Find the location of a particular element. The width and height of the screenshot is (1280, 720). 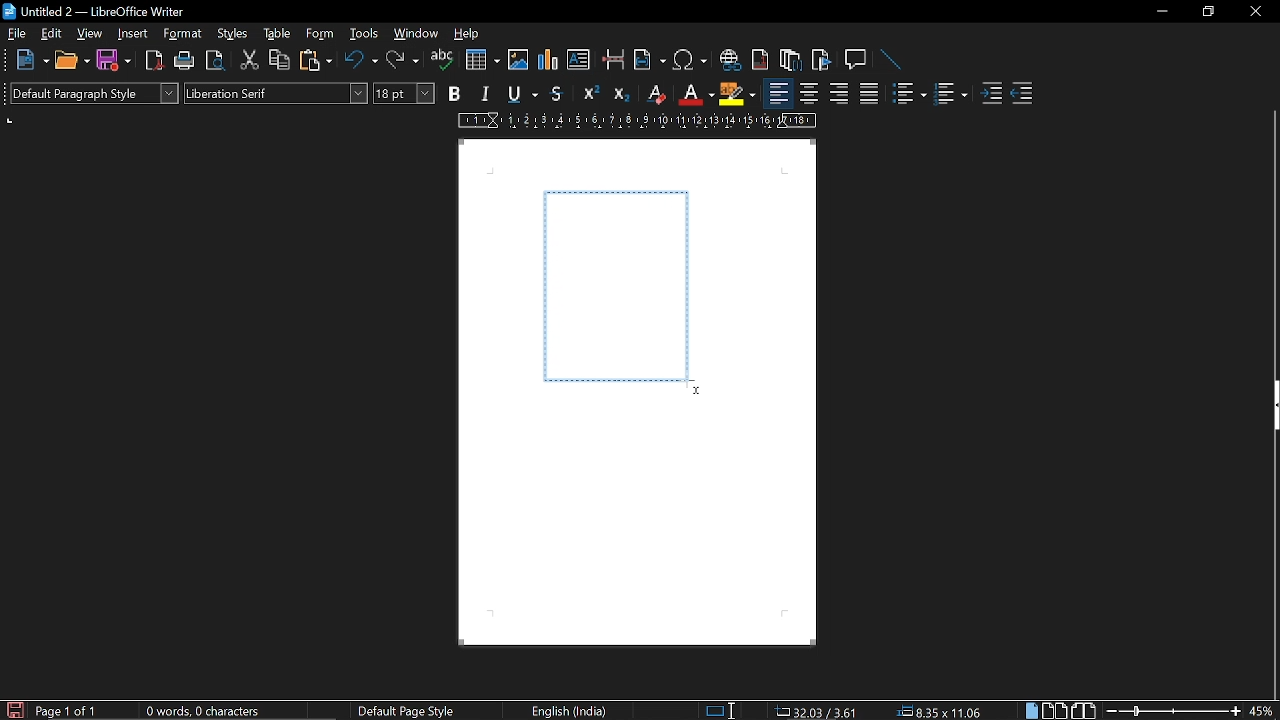

indent right is located at coordinates (1022, 95).